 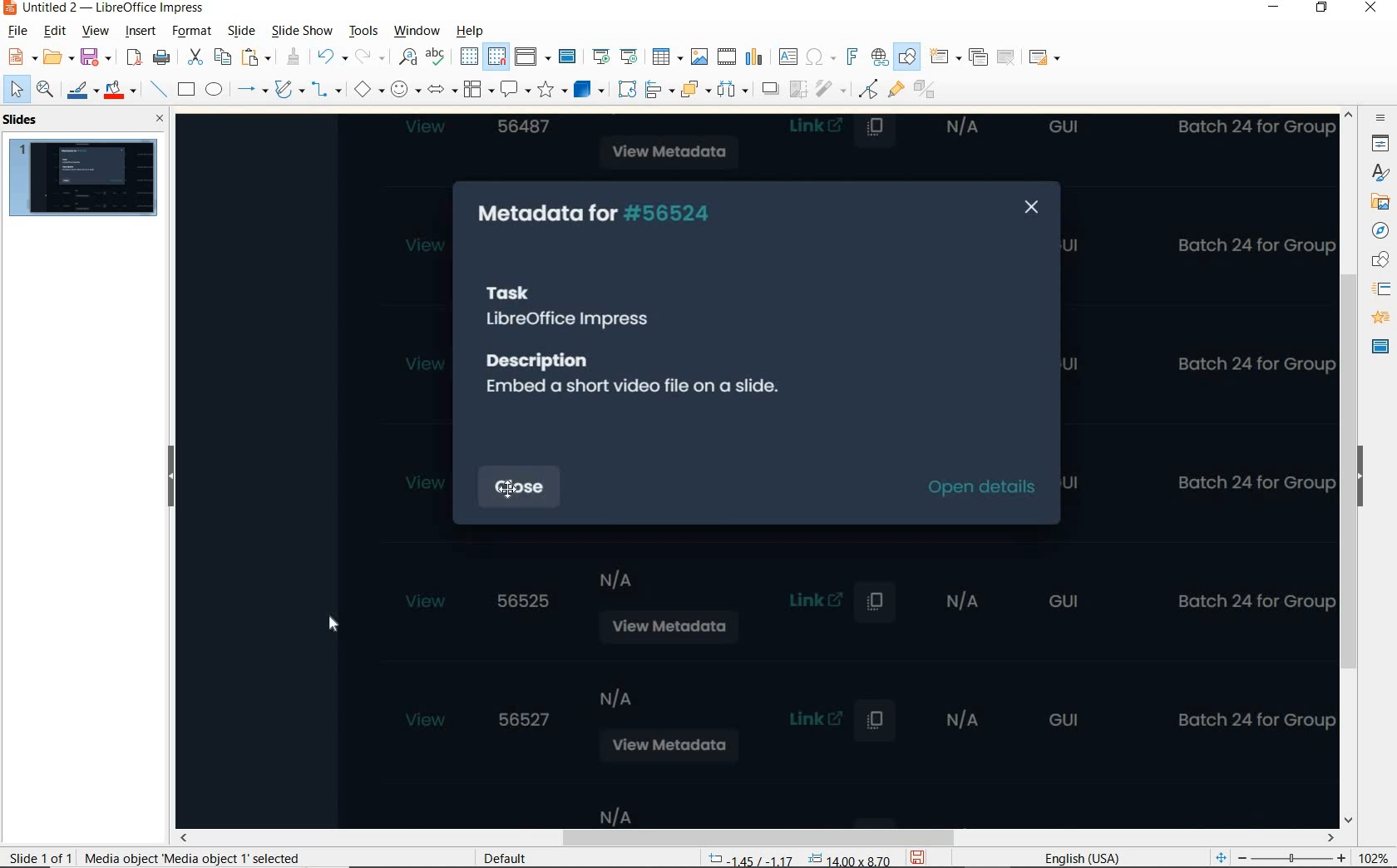 I want to click on FORMAT, so click(x=192, y=31).